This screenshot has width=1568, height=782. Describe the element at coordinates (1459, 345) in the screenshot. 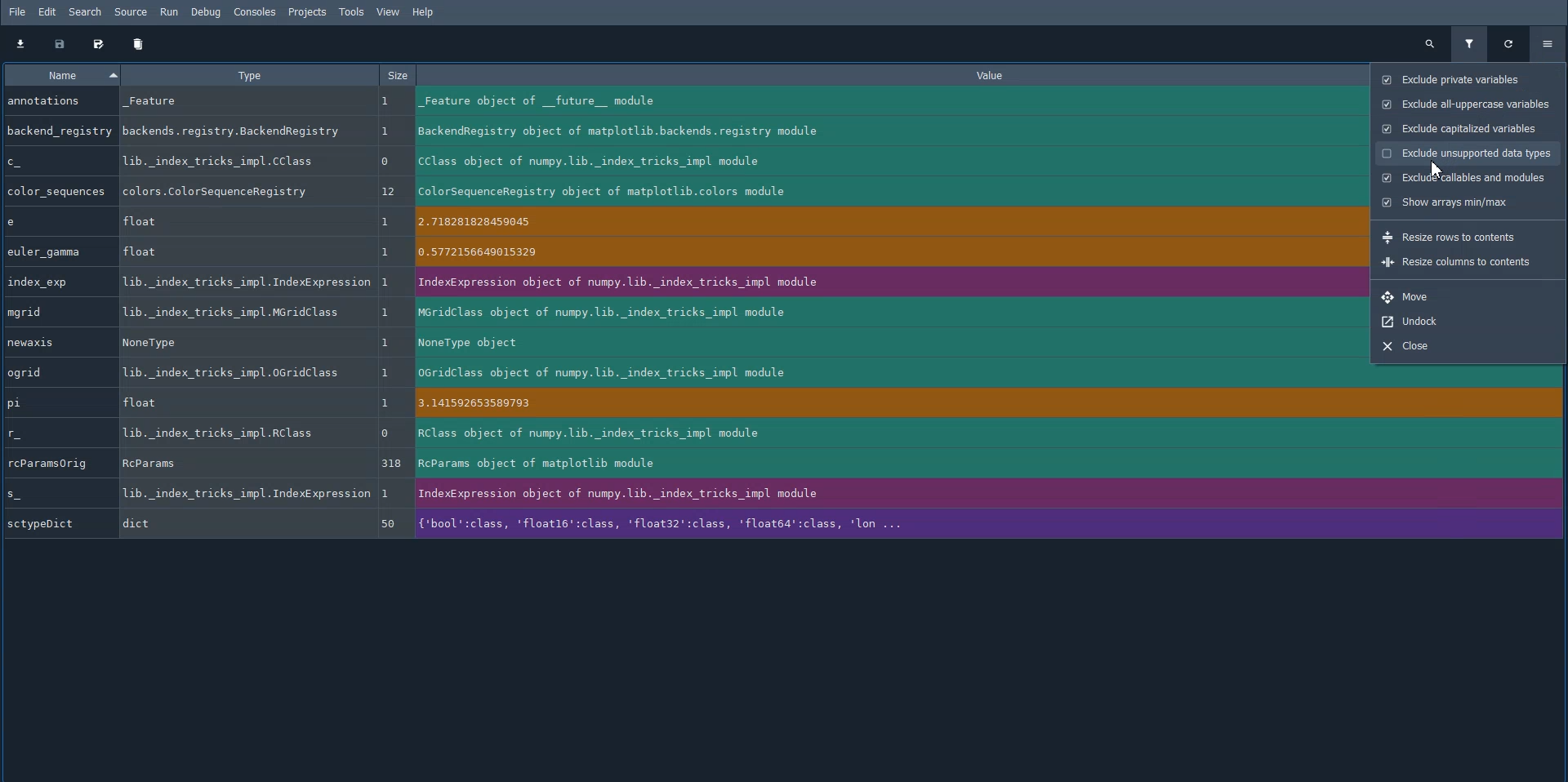

I see `Close` at that location.